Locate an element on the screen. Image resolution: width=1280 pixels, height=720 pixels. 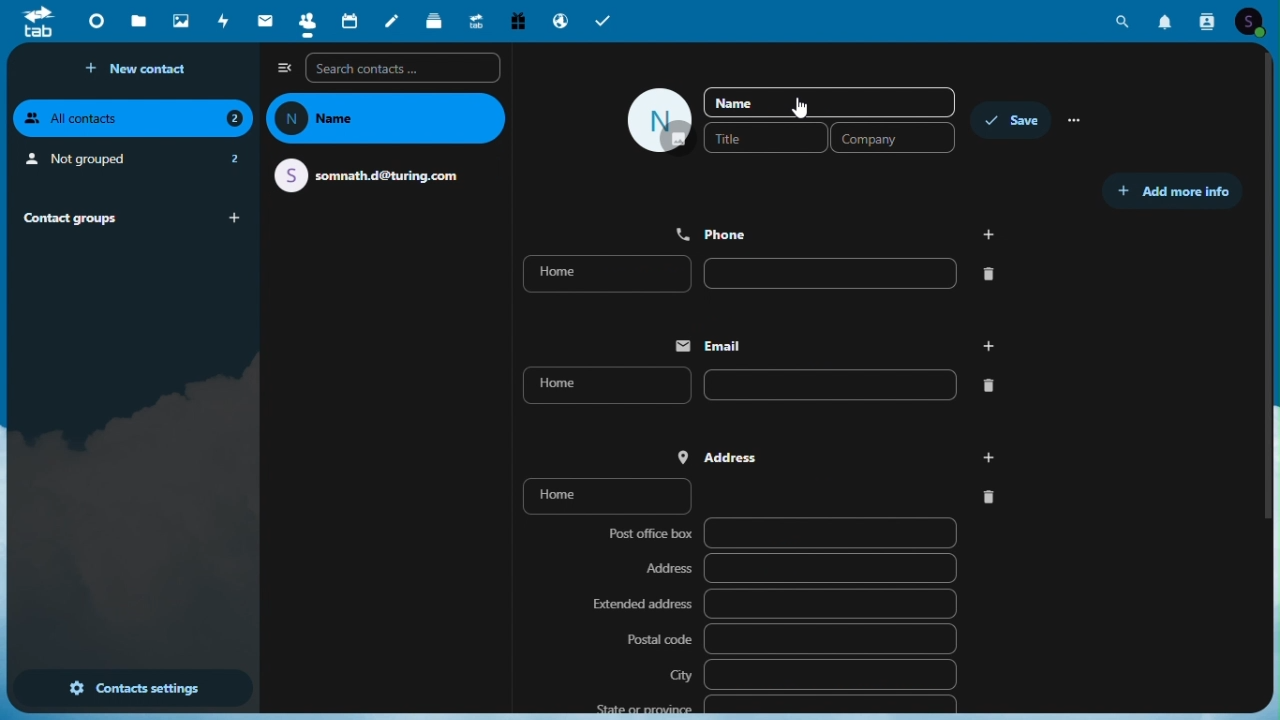
Contact settings is located at coordinates (131, 690).